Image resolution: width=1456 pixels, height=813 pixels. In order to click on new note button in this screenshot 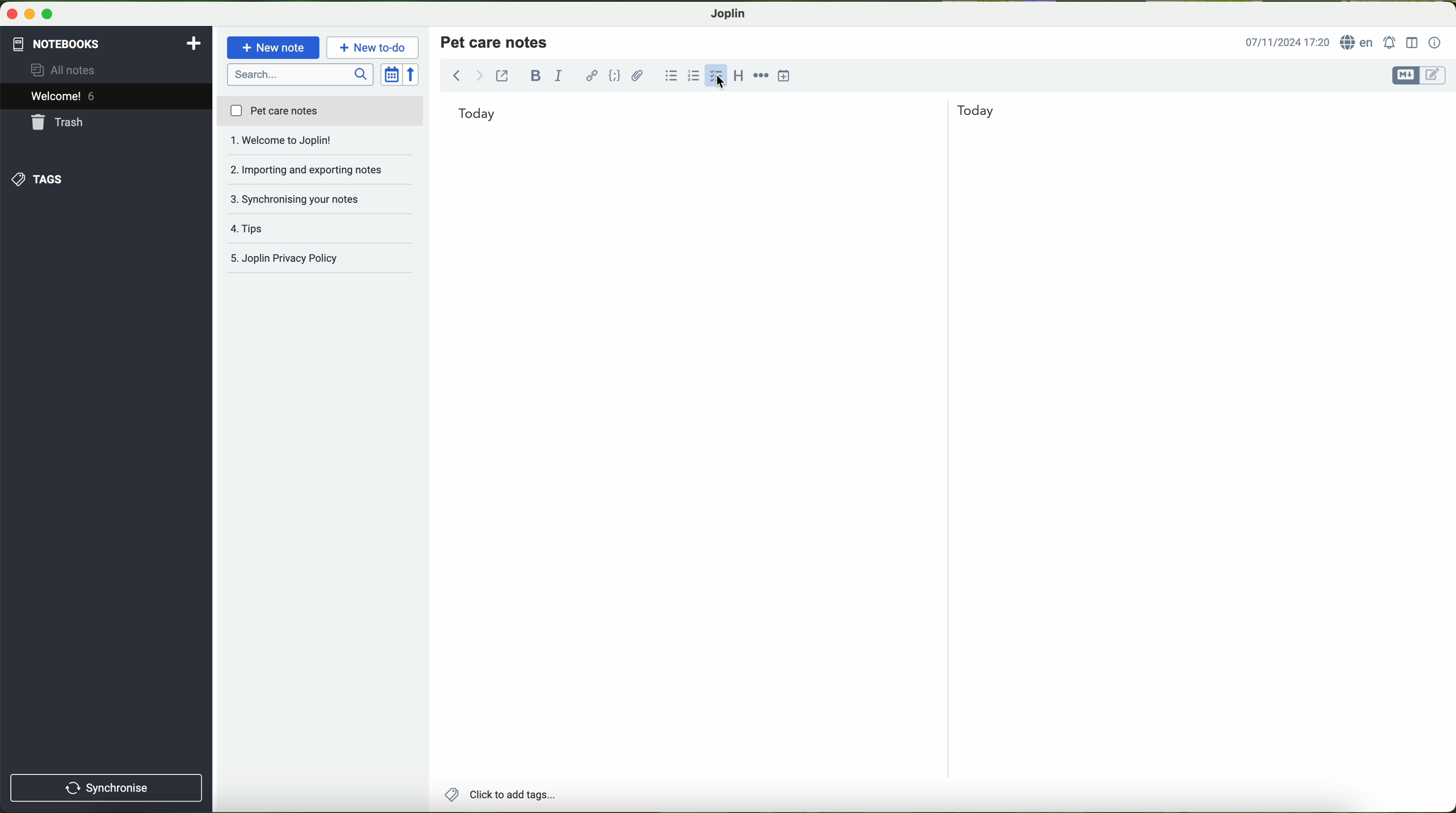, I will do `click(274, 47)`.